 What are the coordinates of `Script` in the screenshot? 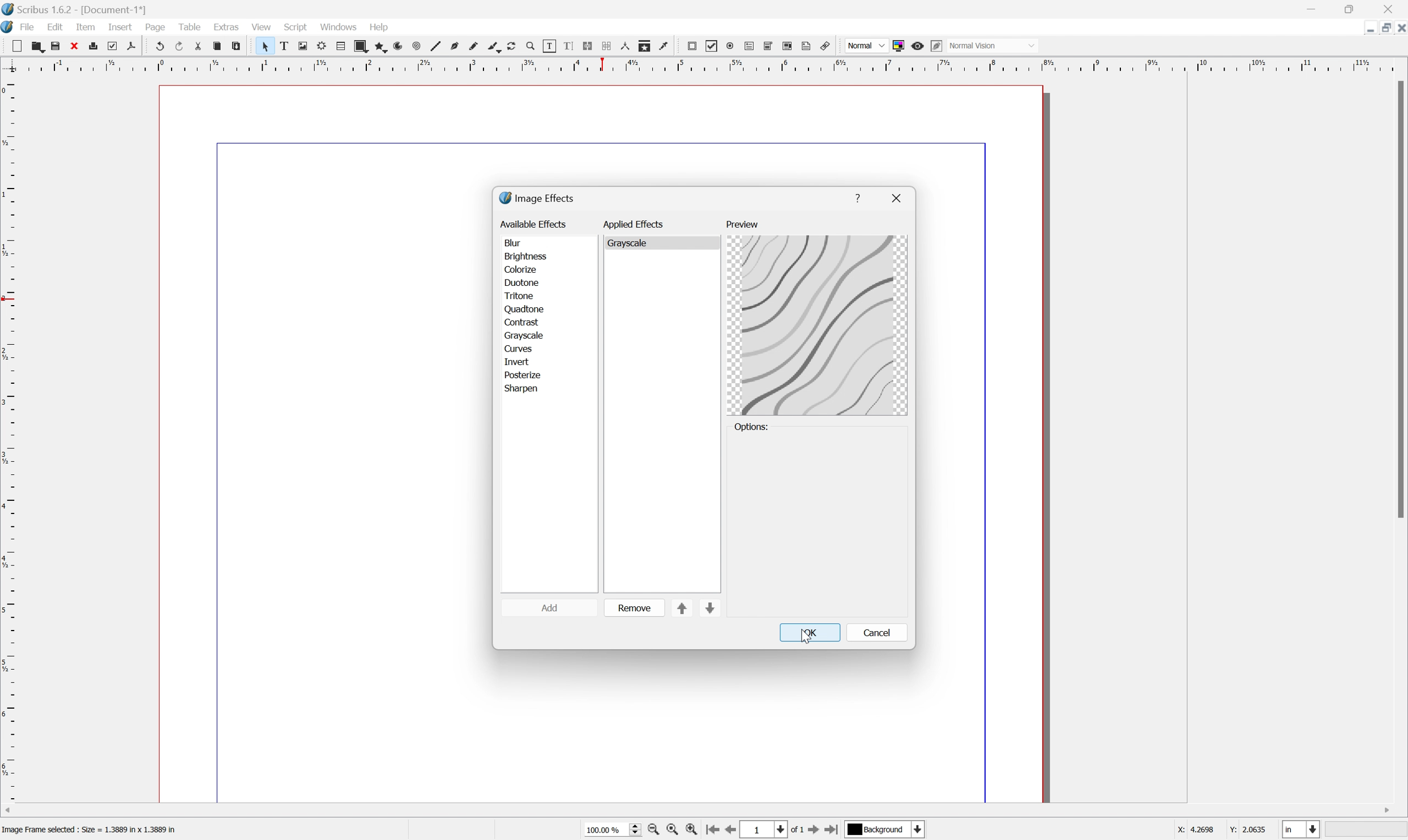 It's located at (298, 25).